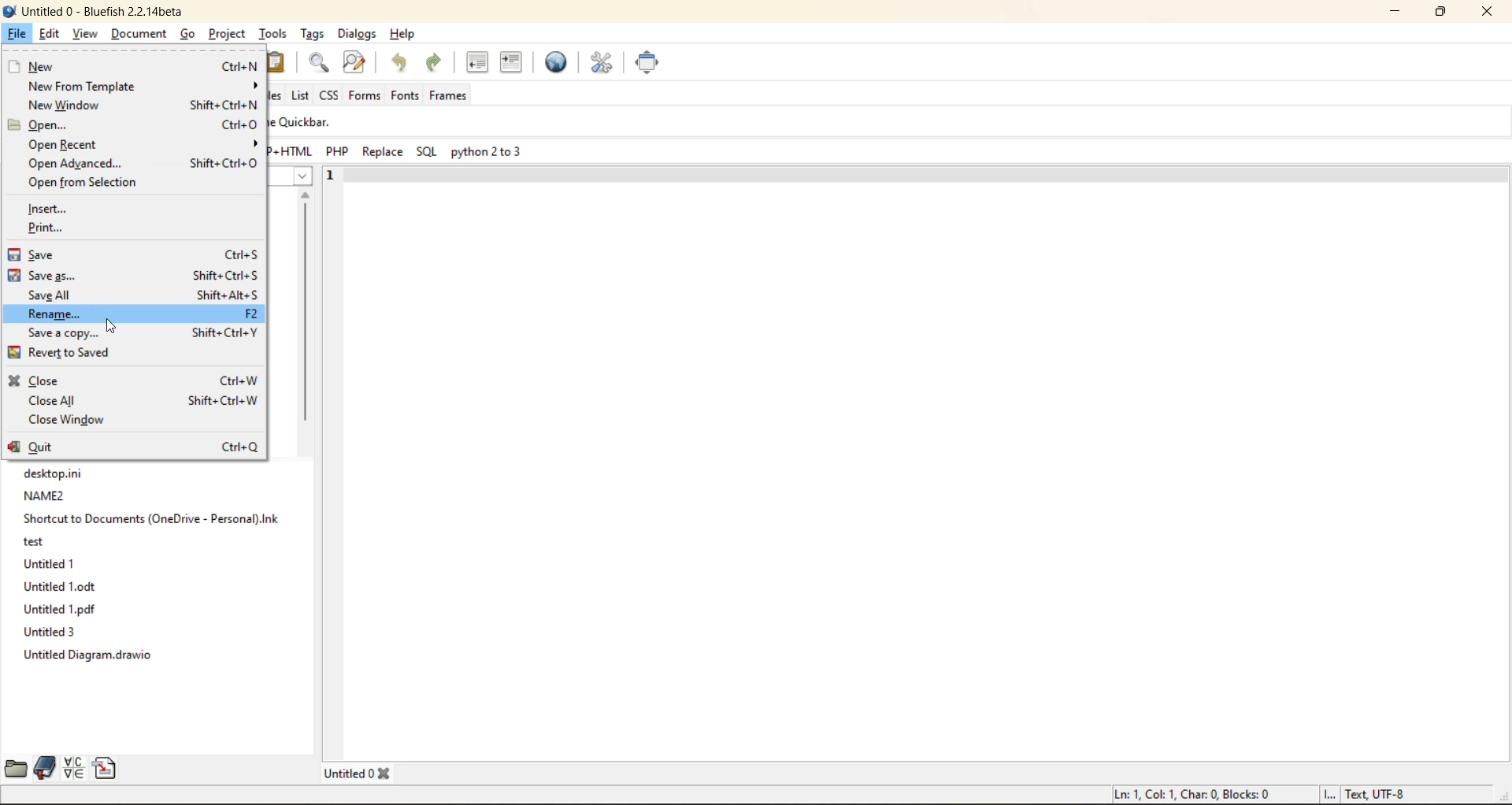 This screenshot has height=805, width=1512. What do you see at coordinates (235, 274) in the screenshot?
I see `Shift+Ctrl+S ` at bounding box center [235, 274].